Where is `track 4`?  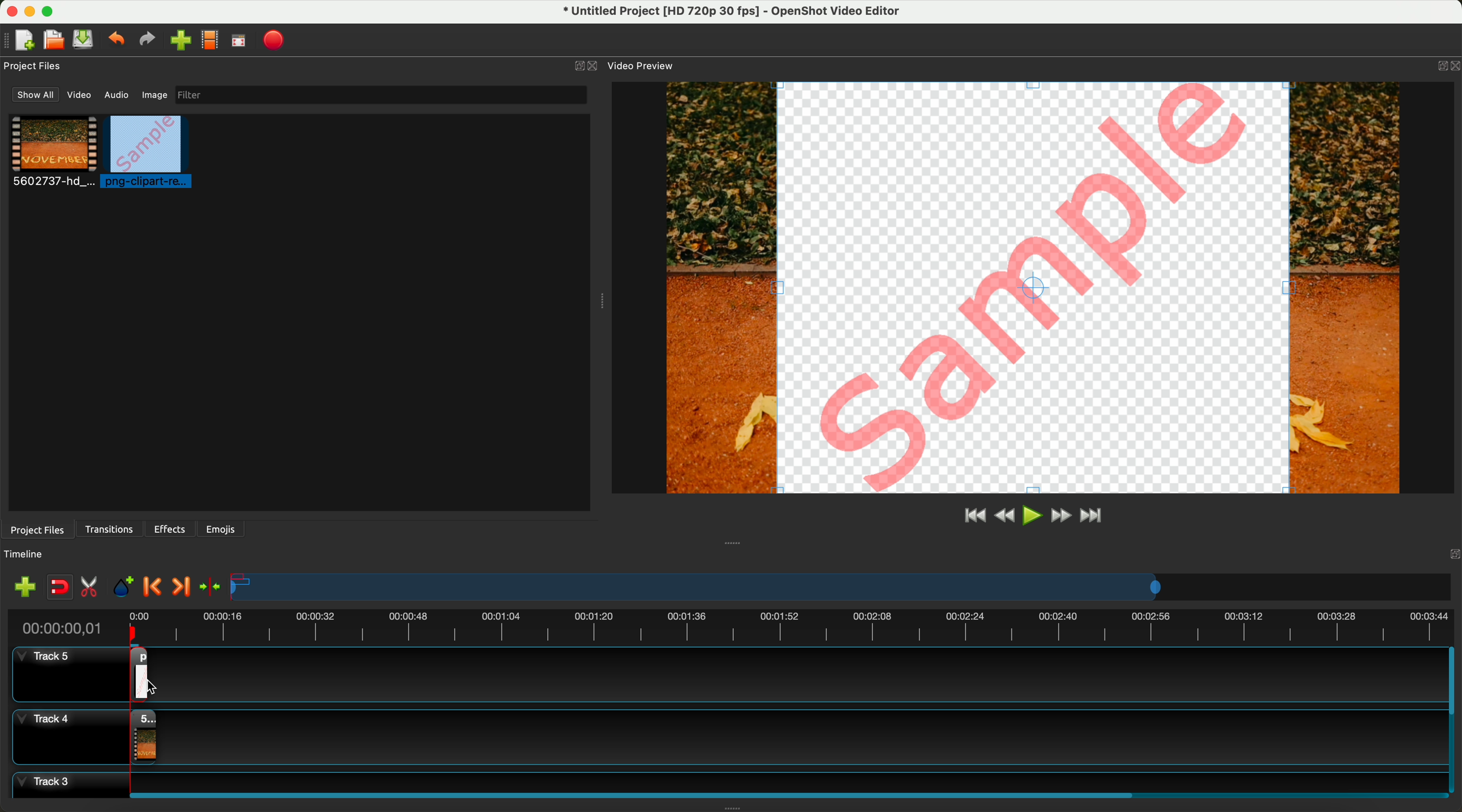 track 4 is located at coordinates (726, 734).